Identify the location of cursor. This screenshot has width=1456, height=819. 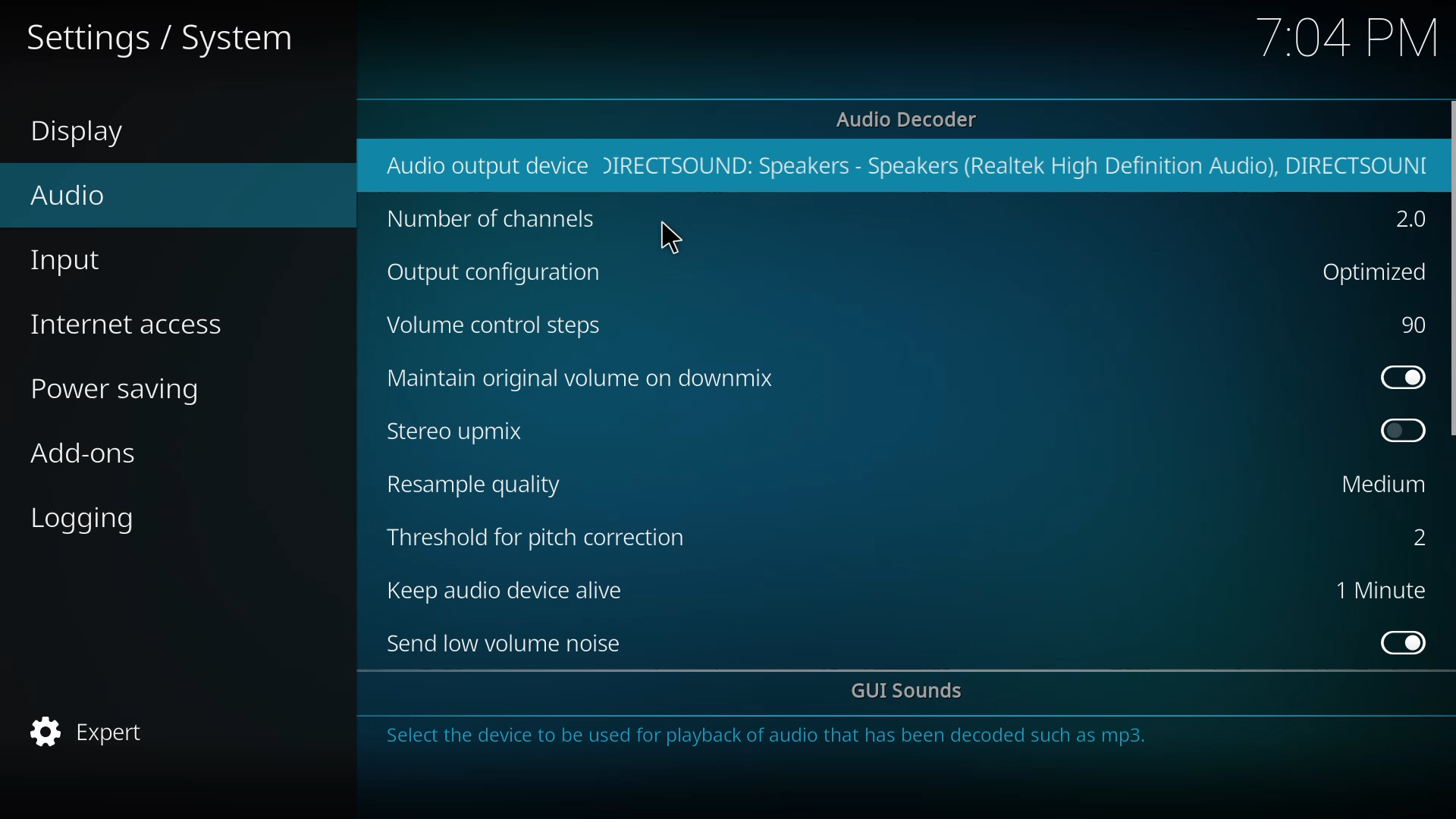
(673, 239).